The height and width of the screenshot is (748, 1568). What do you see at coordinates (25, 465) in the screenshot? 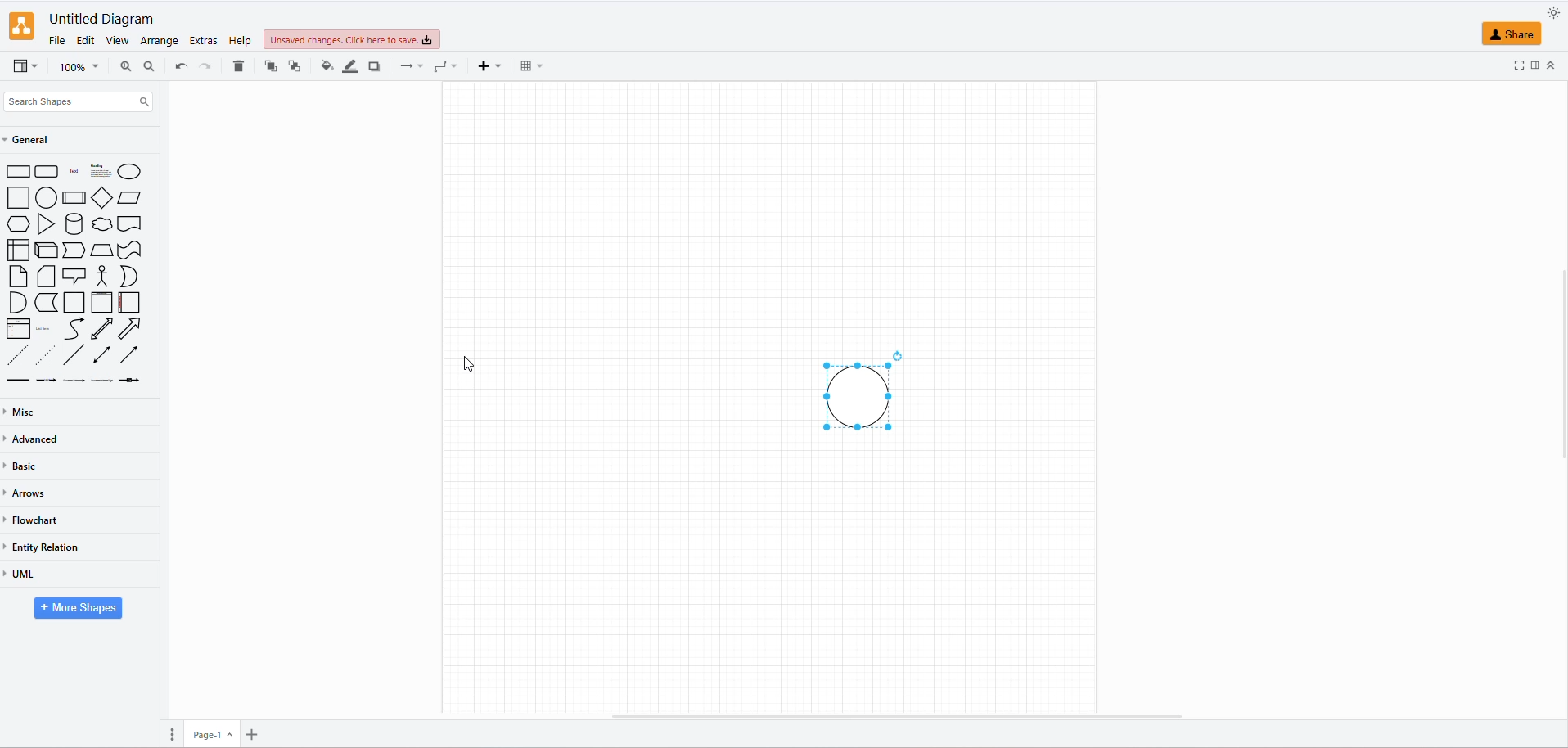
I see `BASIC` at bounding box center [25, 465].